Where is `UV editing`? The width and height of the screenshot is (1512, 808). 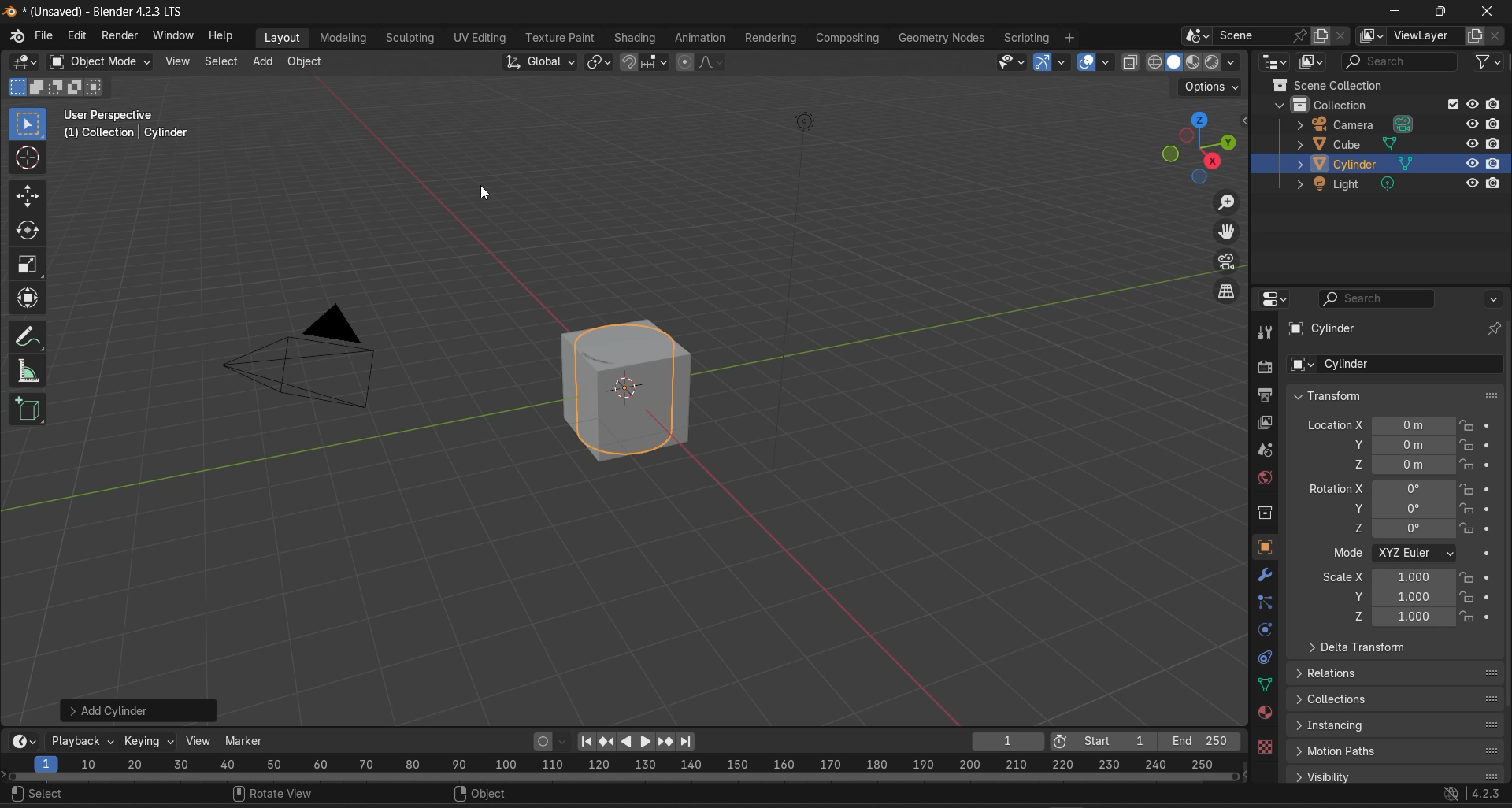
UV editing is located at coordinates (479, 38).